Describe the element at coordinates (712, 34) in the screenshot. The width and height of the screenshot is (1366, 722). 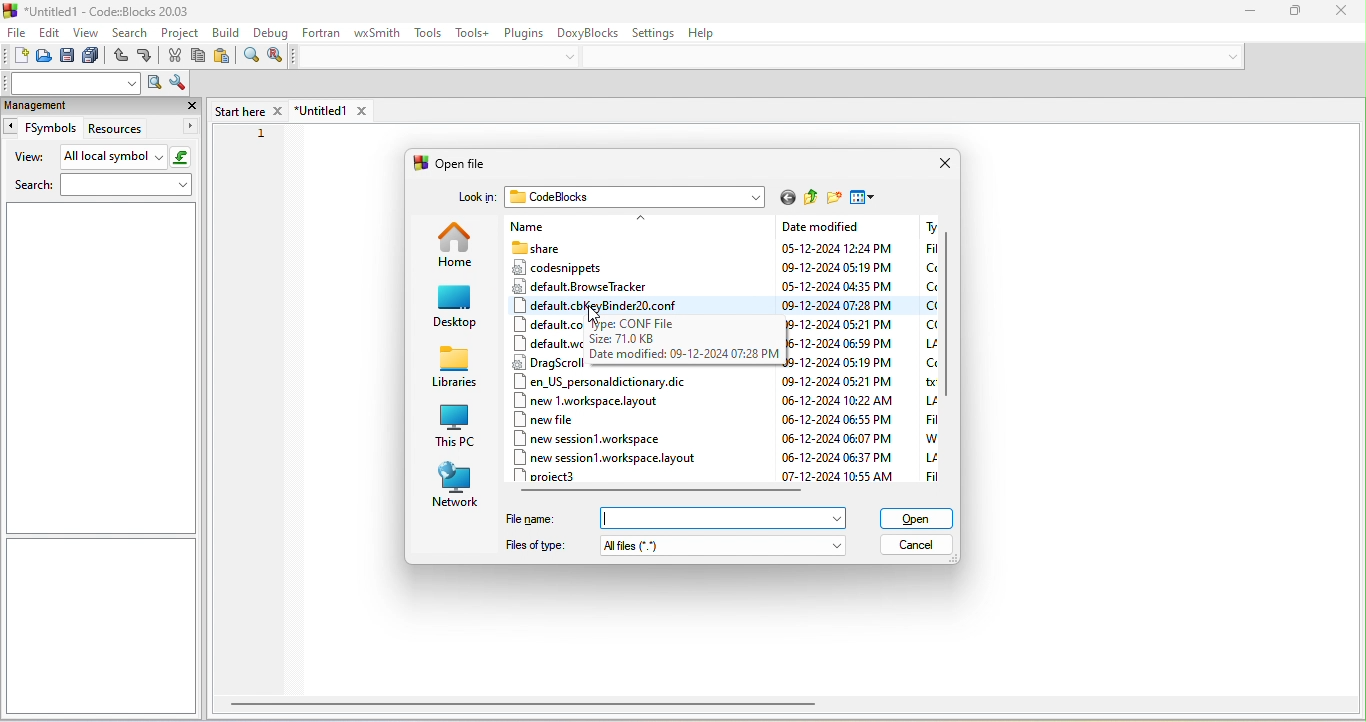
I see `help` at that location.